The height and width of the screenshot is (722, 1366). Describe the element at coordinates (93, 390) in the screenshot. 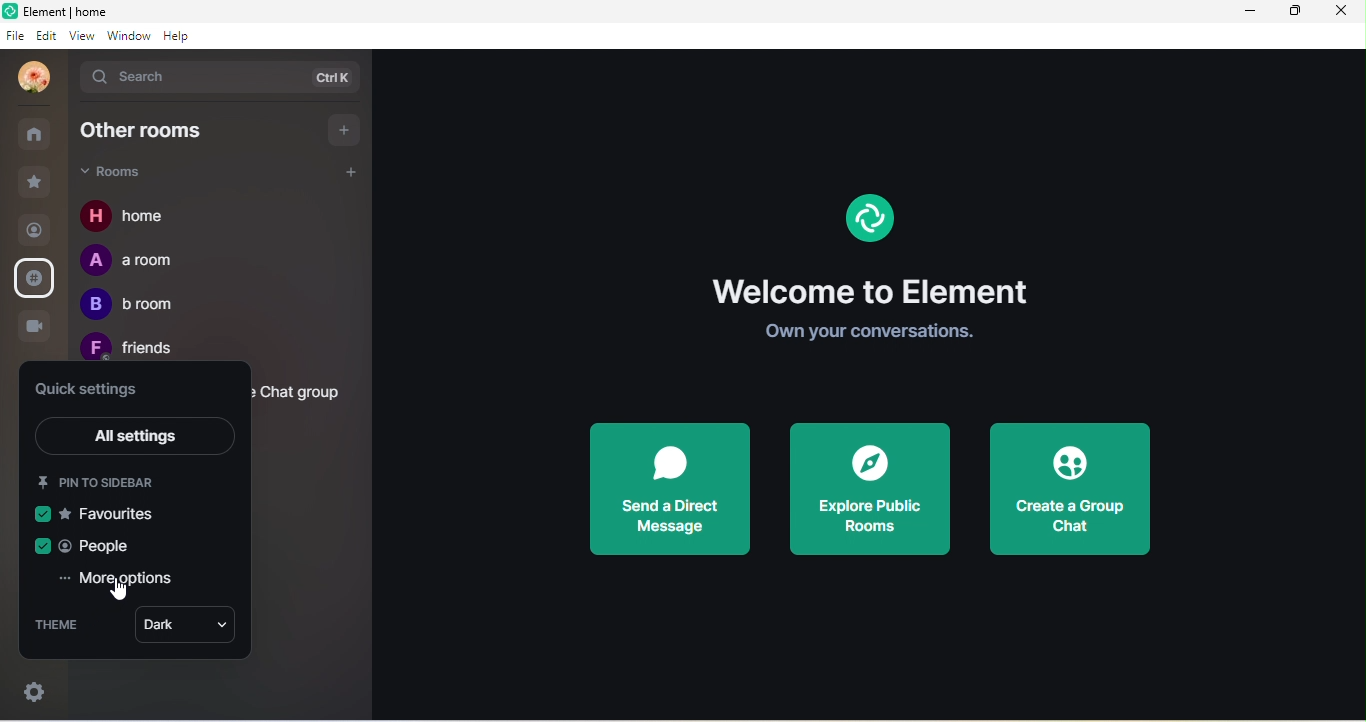

I see `quick settings` at that location.